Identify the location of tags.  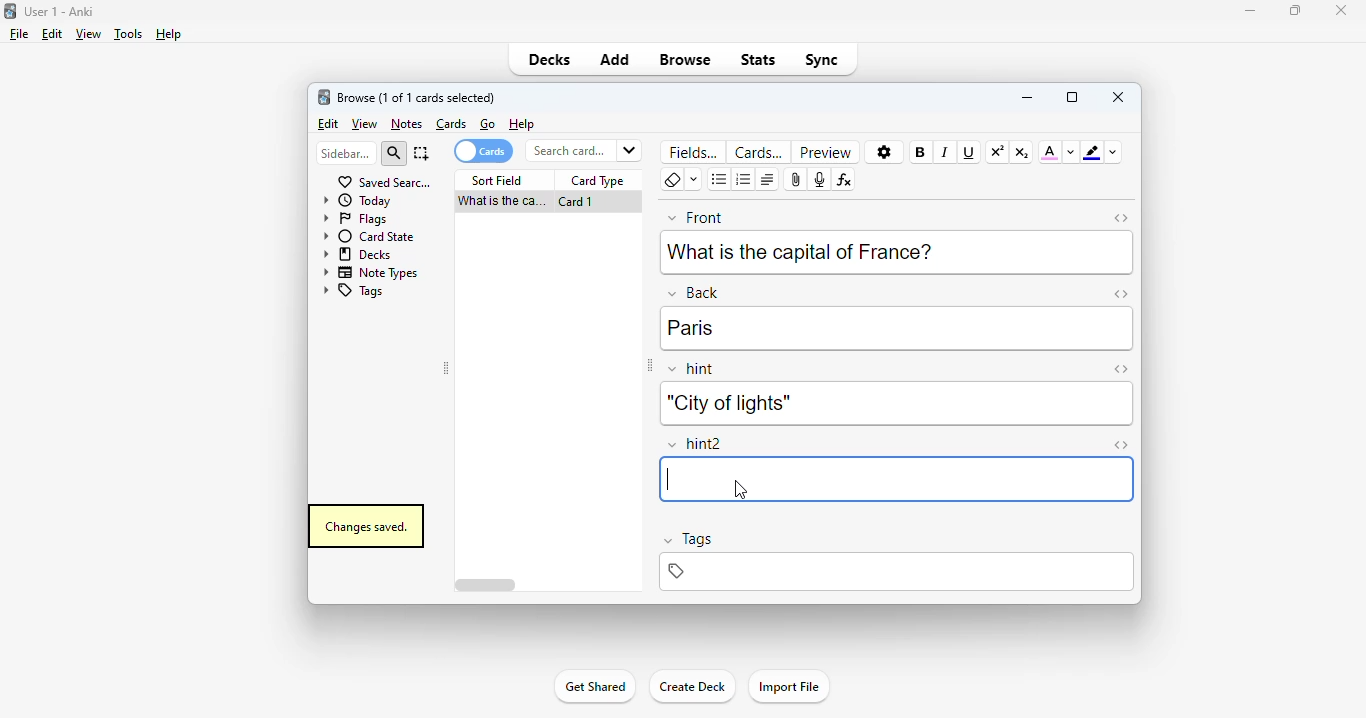
(687, 541).